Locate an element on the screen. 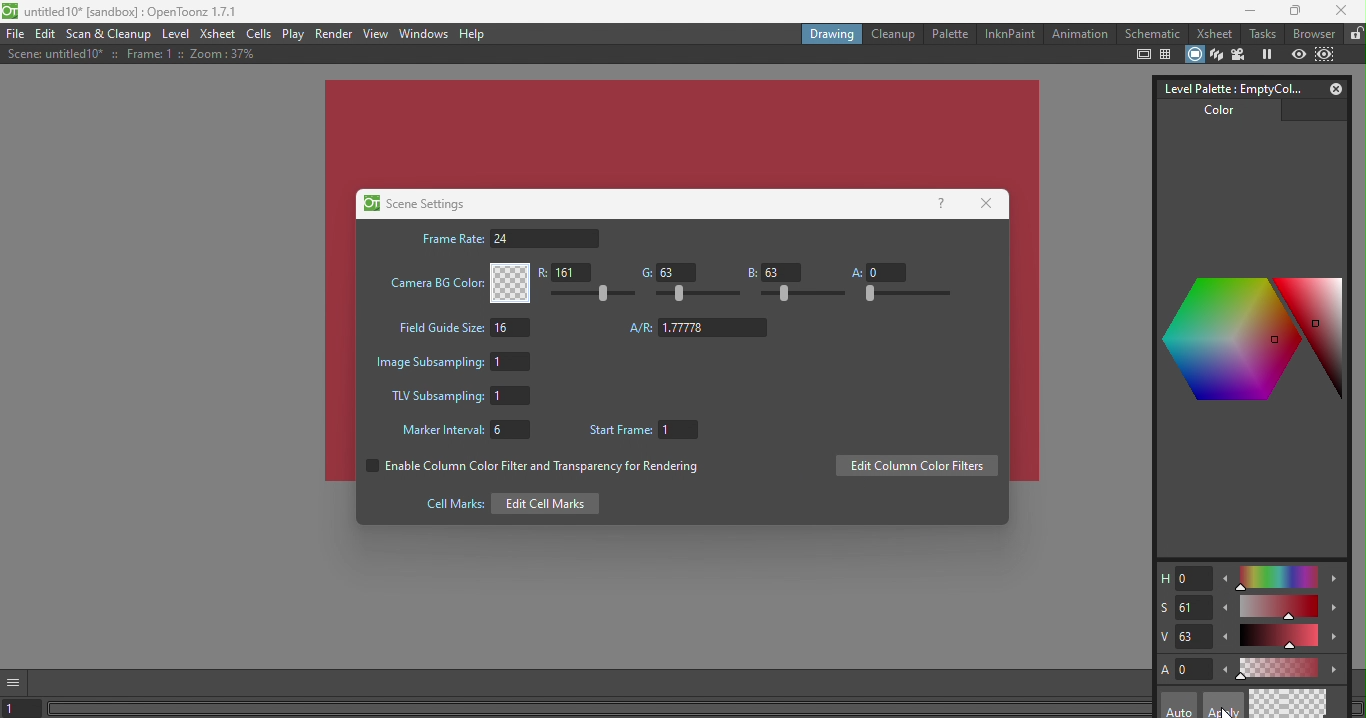  Slide bar is located at coordinates (1281, 638).